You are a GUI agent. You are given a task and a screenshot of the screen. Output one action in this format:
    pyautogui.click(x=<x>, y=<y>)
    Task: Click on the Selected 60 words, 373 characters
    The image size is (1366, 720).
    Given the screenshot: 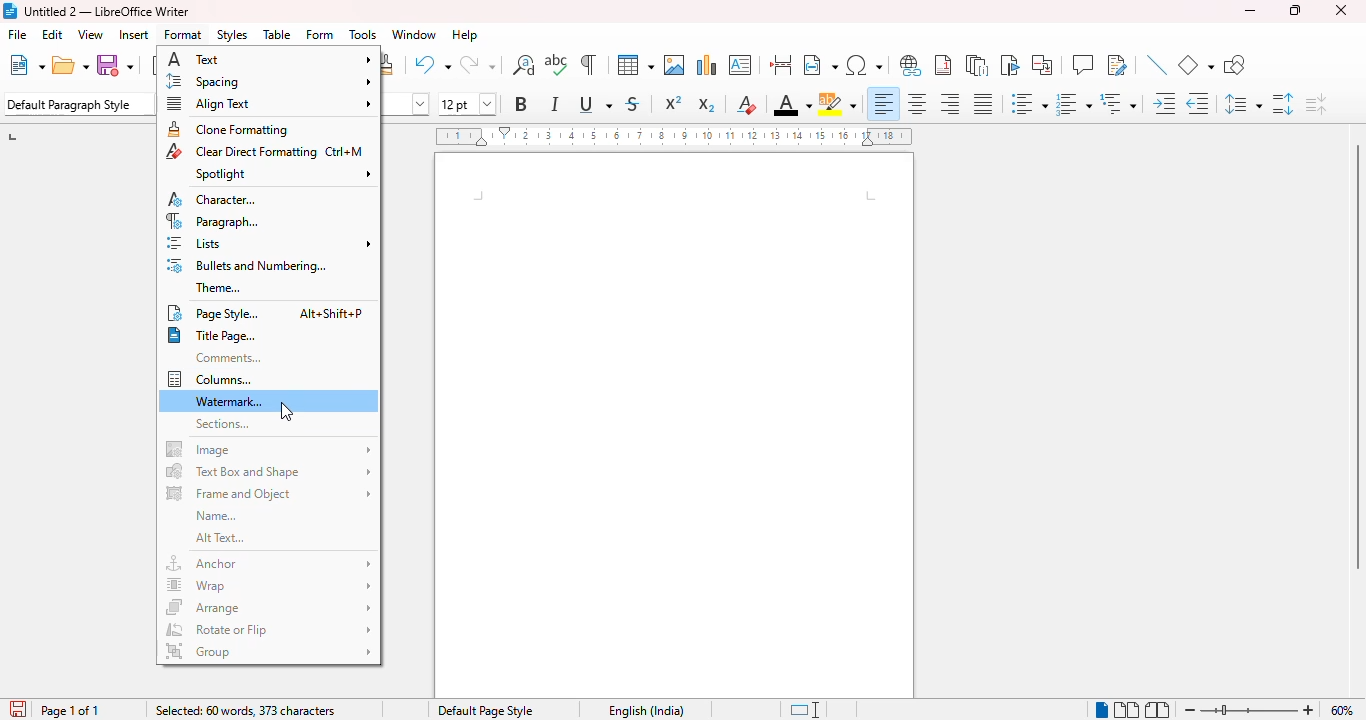 What is the action you would take?
    pyautogui.click(x=244, y=710)
    